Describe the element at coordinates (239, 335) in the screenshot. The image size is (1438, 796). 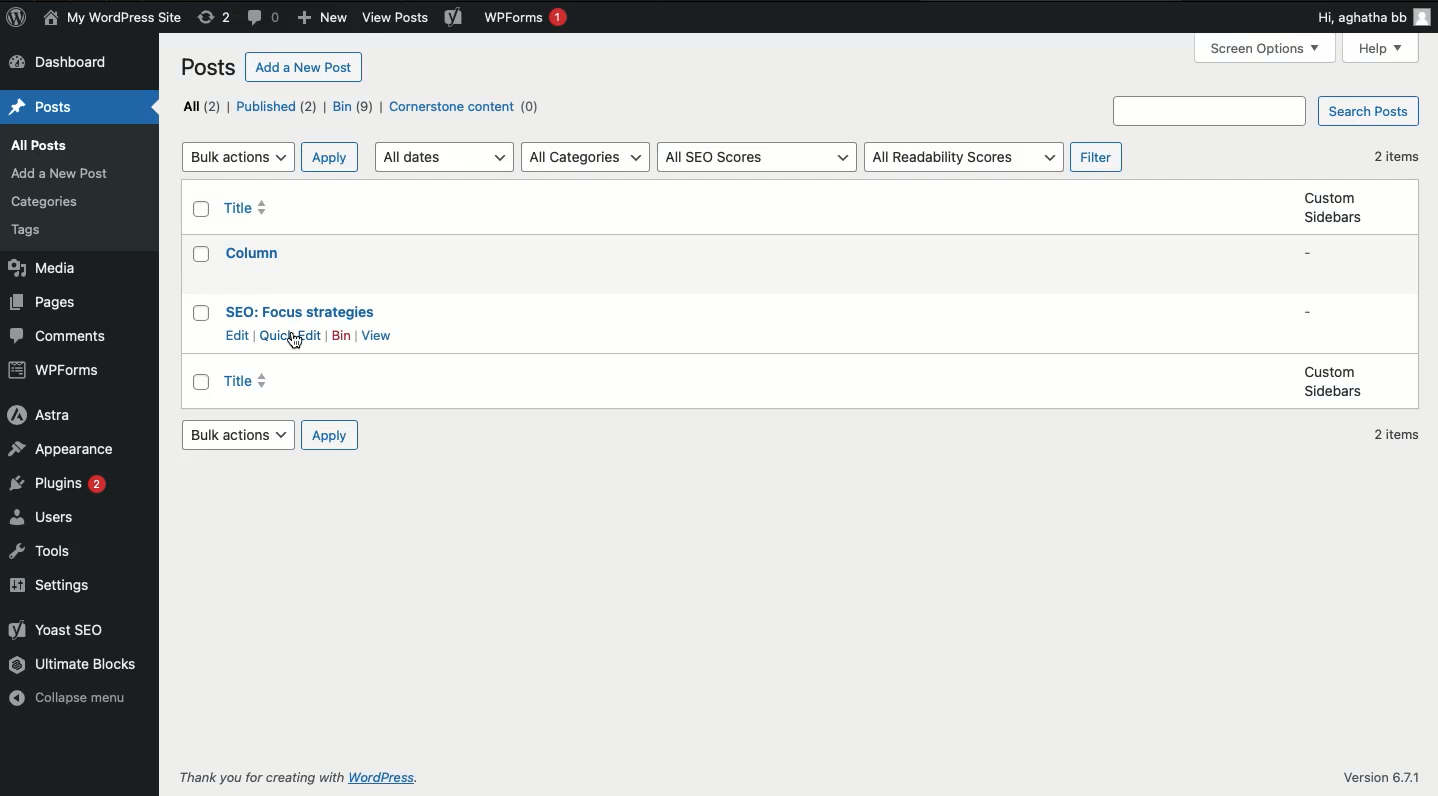
I see `Edit` at that location.